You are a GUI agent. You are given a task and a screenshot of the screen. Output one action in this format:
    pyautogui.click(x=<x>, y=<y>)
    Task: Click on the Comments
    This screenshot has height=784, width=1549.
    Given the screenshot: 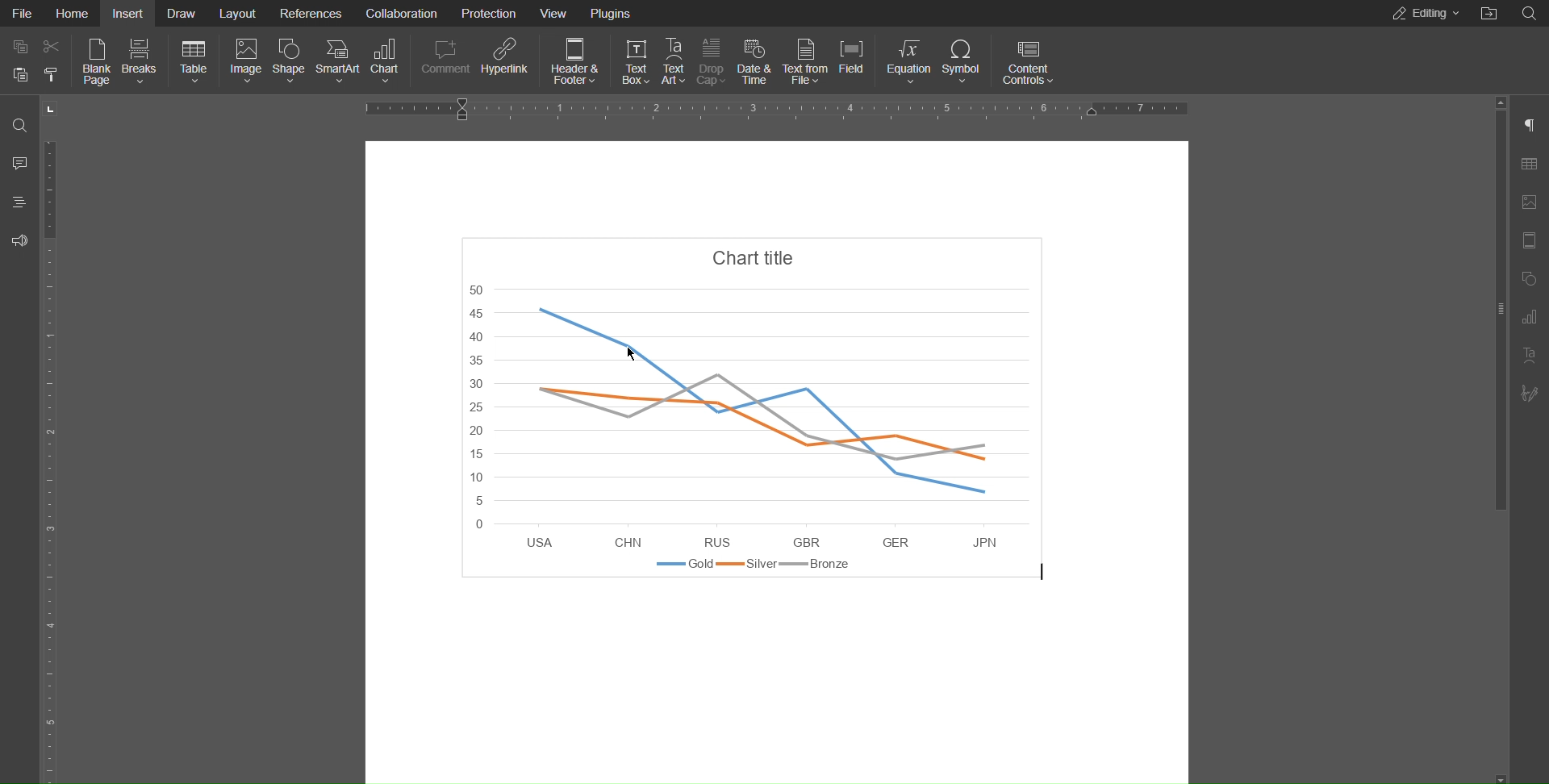 What is the action you would take?
    pyautogui.click(x=18, y=166)
    